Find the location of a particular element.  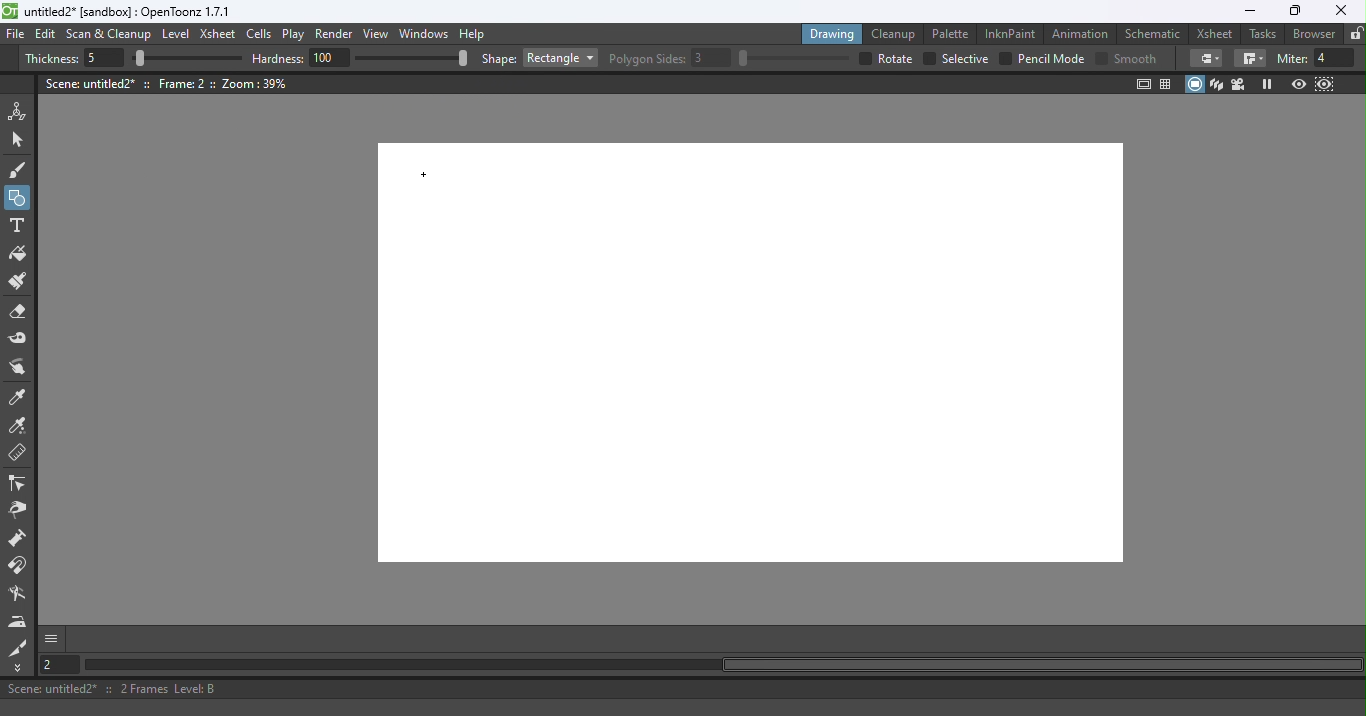

100 is located at coordinates (330, 57).